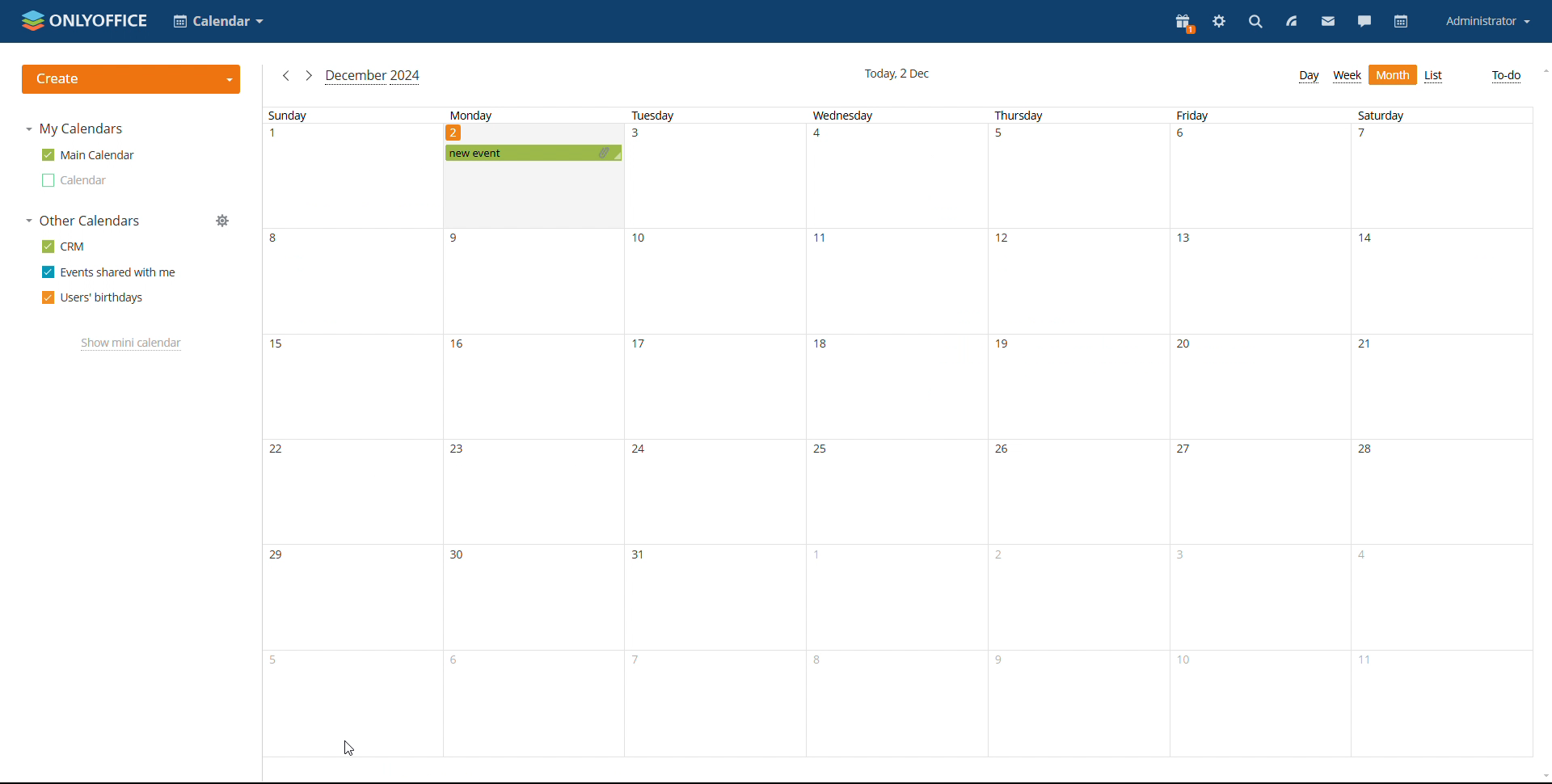 This screenshot has height=784, width=1552. Describe the element at coordinates (108, 272) in the screenshot. I see `events shared with me` at that location.